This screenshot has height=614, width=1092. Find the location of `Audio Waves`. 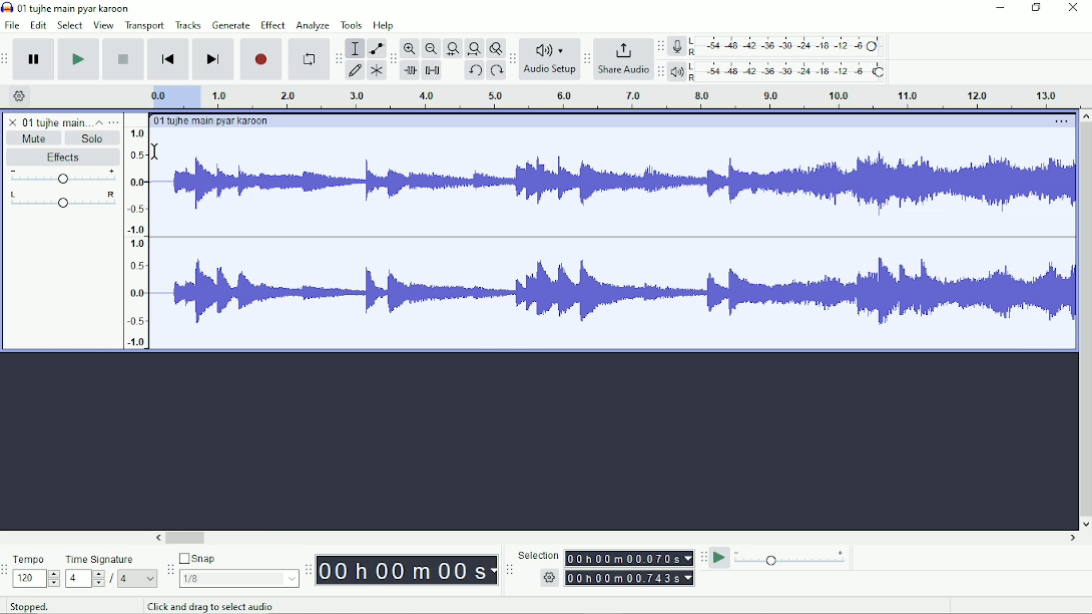

Audio Waves is located at coordinates (621, 187).